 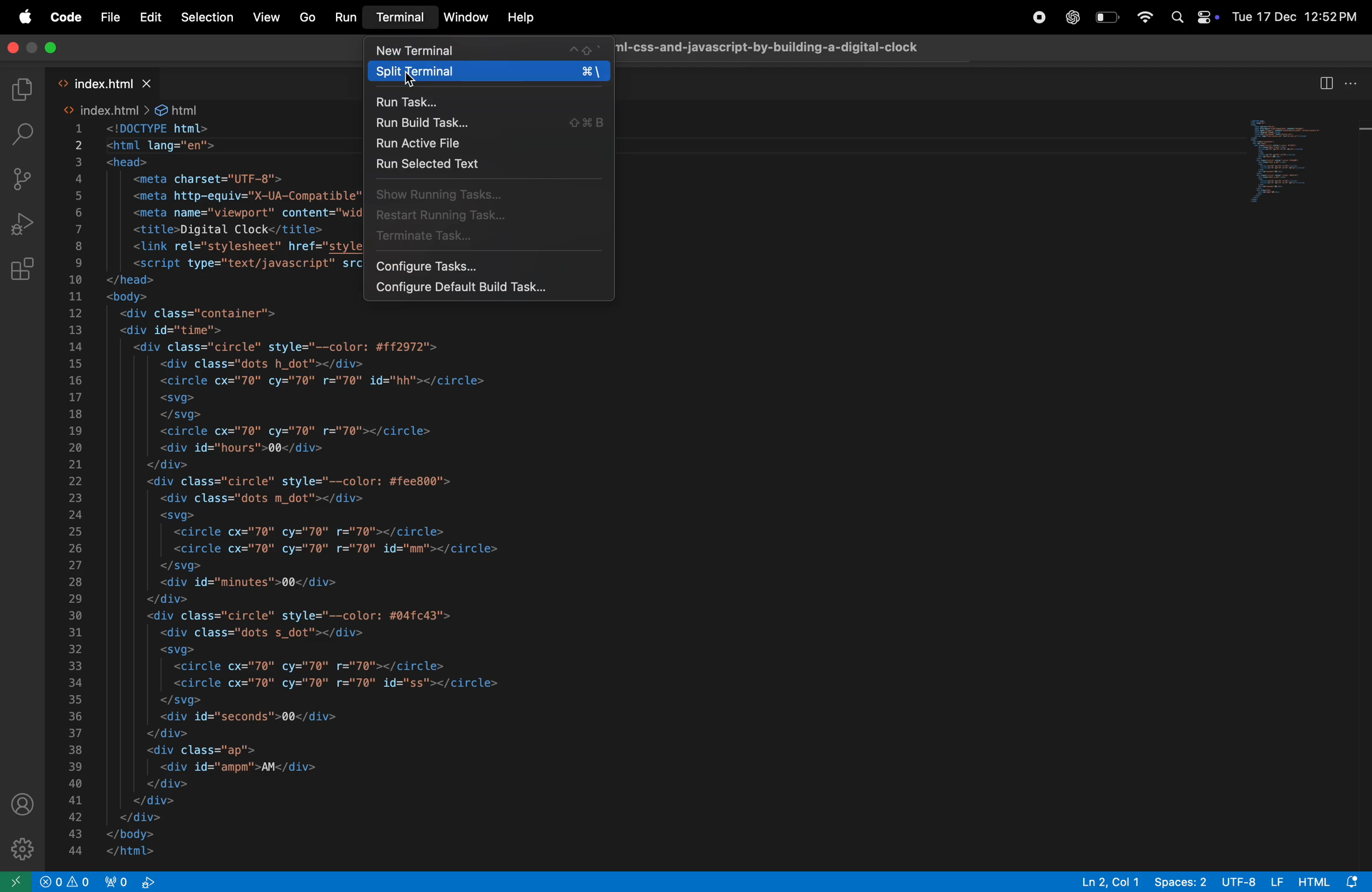 What do you see at coordinates (24, 18) in the screenshot?
I see `apple menu` at bounding box center [24, 18].